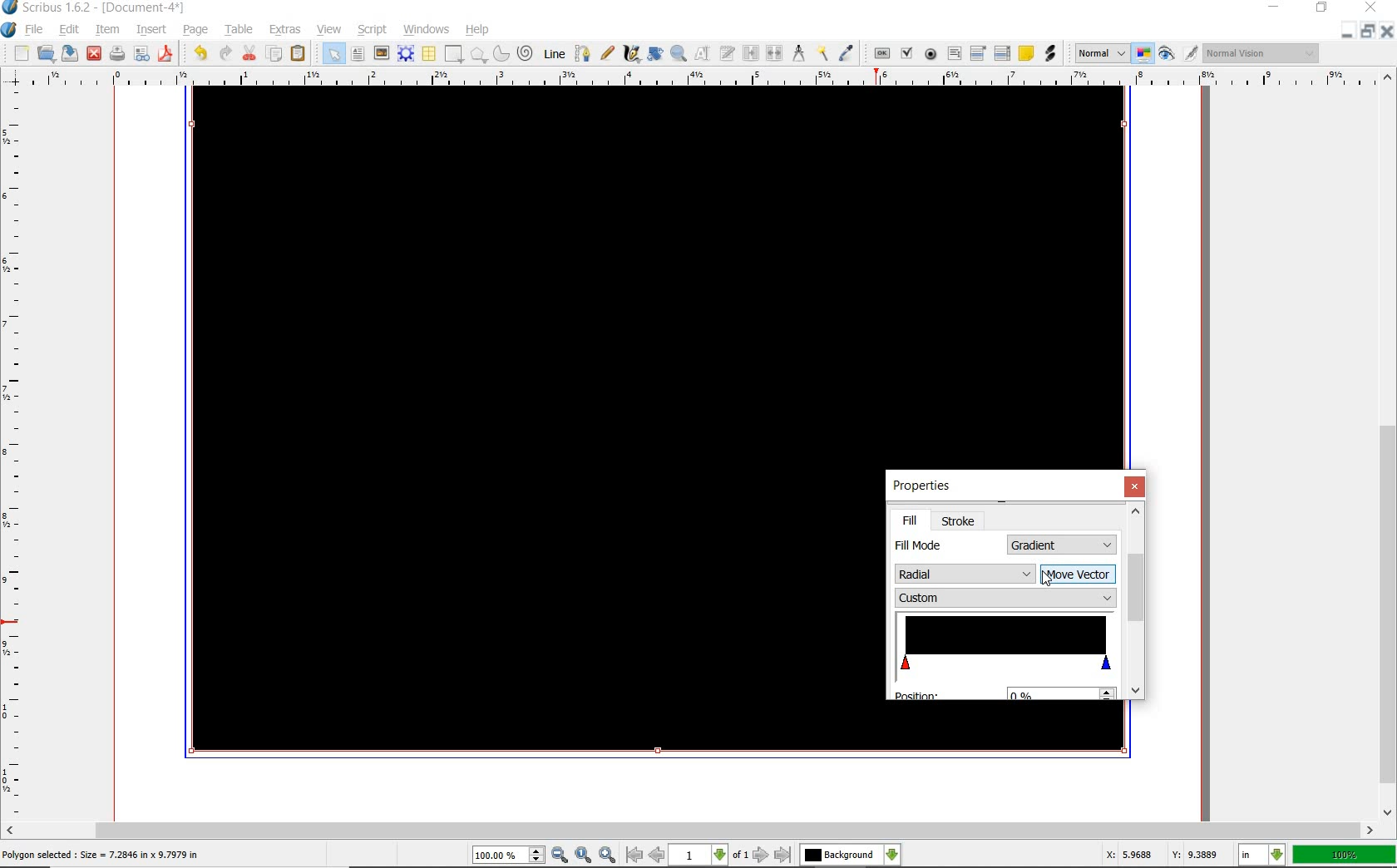 The height and width of the screenshot is (868, 1397). Describe the element at coordinates (923, 546) in the screenshot. I see `Fill Mode` at that location.